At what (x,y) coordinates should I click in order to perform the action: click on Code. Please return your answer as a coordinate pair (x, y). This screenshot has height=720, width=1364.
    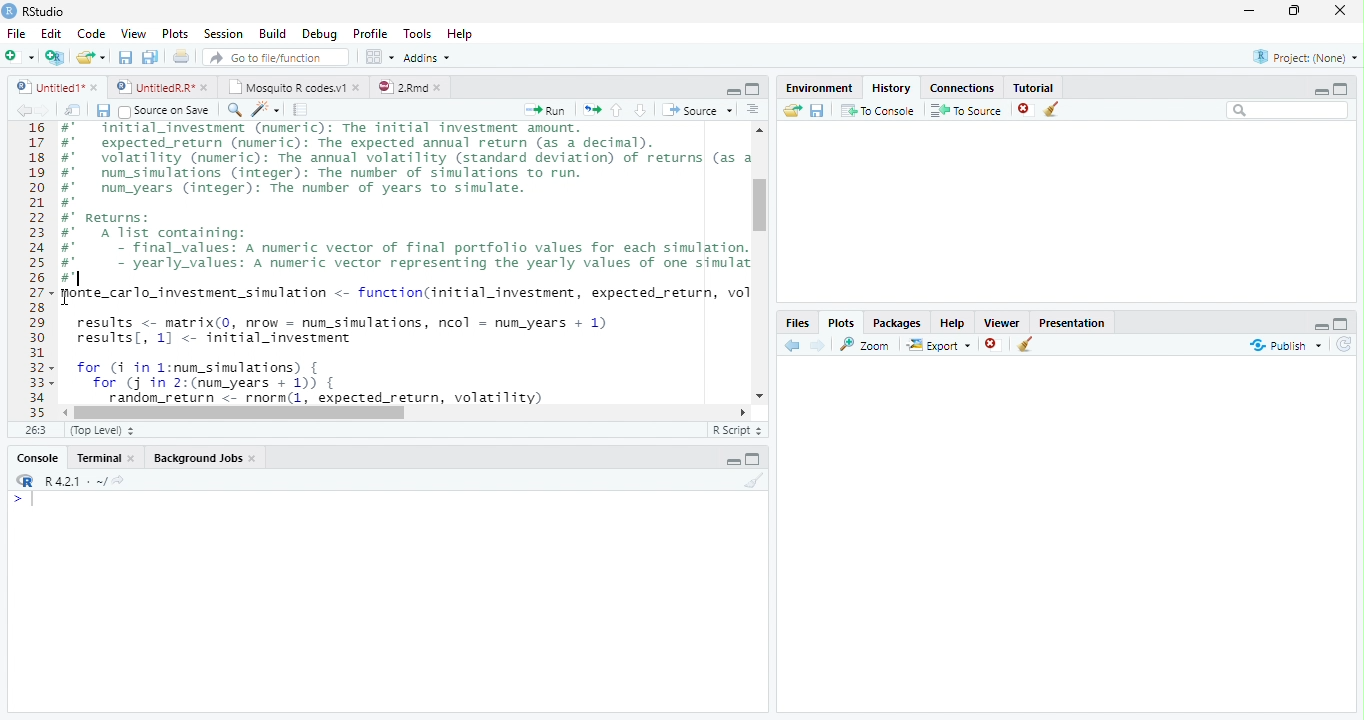
    Looking at the image, I should click on (402, 264).